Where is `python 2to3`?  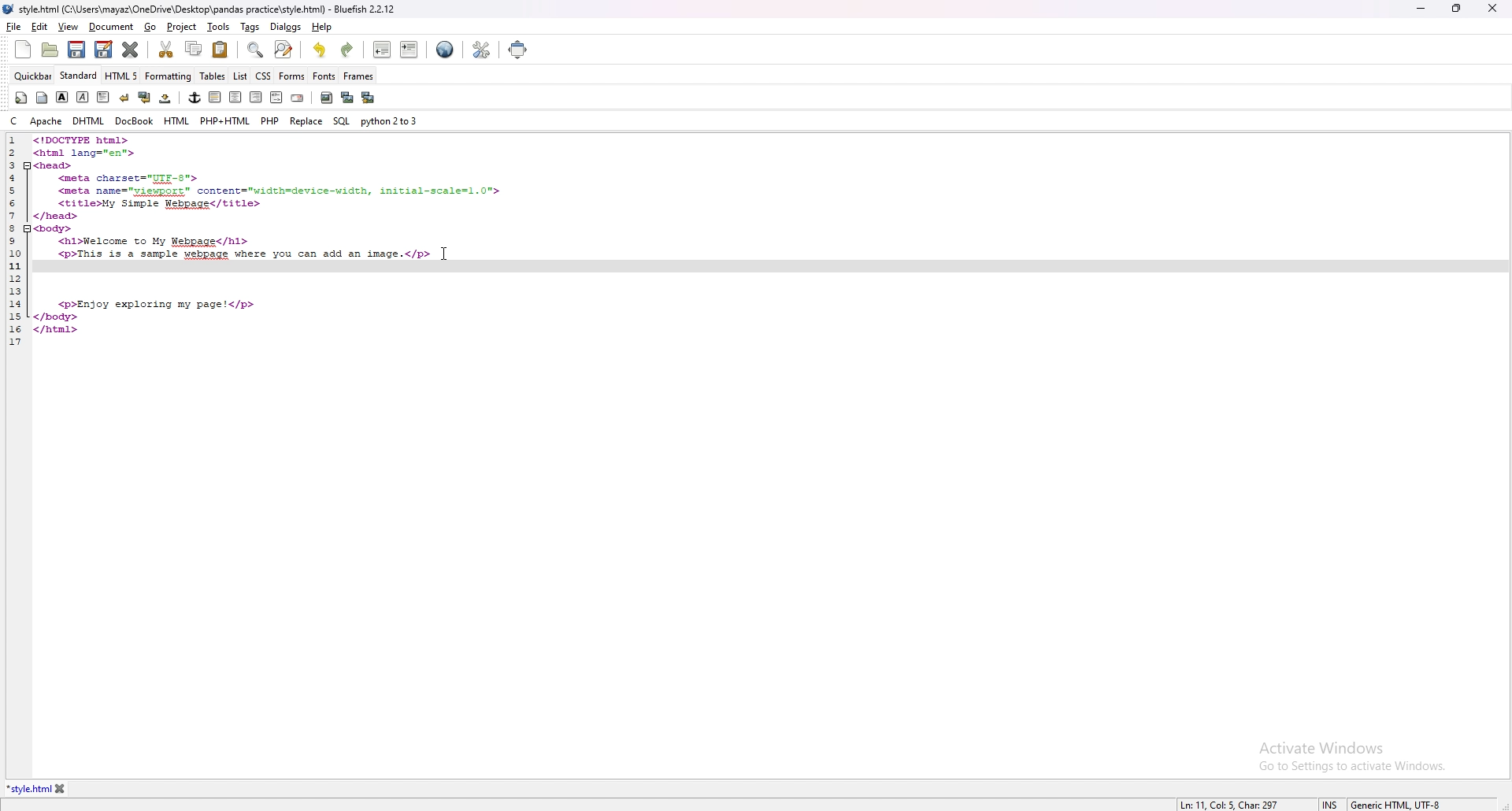
python 2to3 is located at coordinates (389, 120).